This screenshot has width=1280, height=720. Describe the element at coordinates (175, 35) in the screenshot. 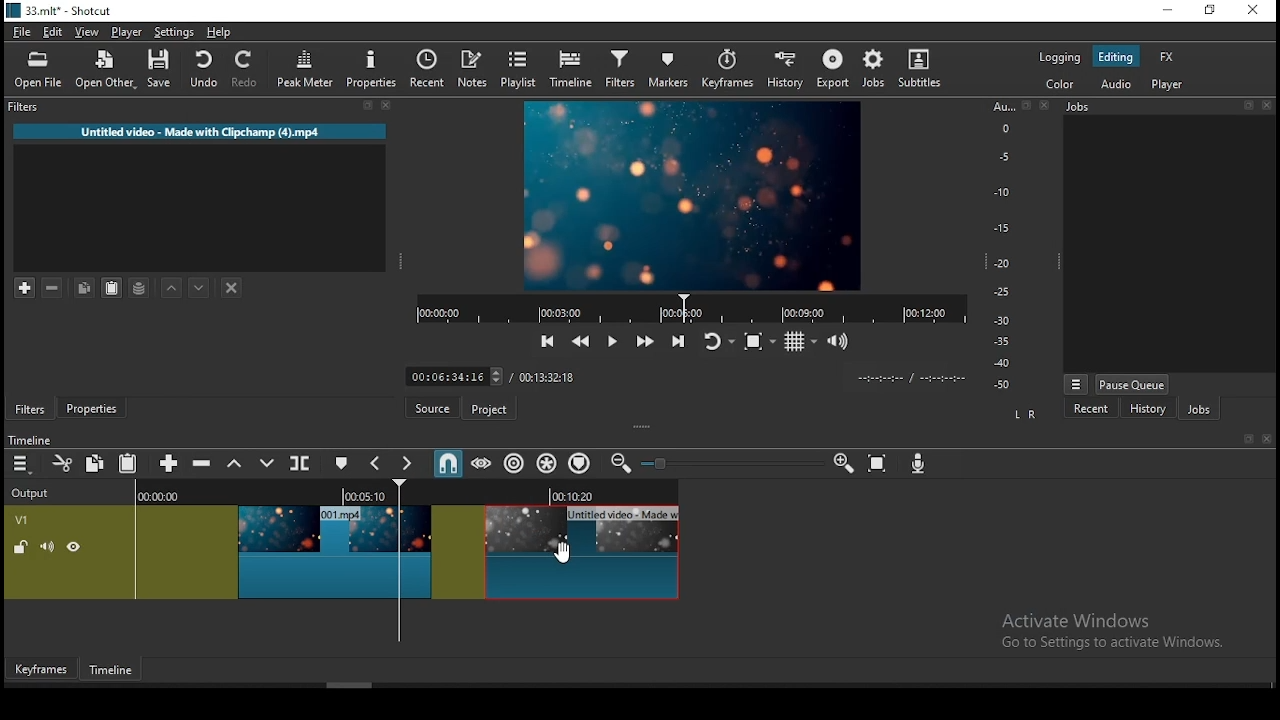

I see `settings` at that location.